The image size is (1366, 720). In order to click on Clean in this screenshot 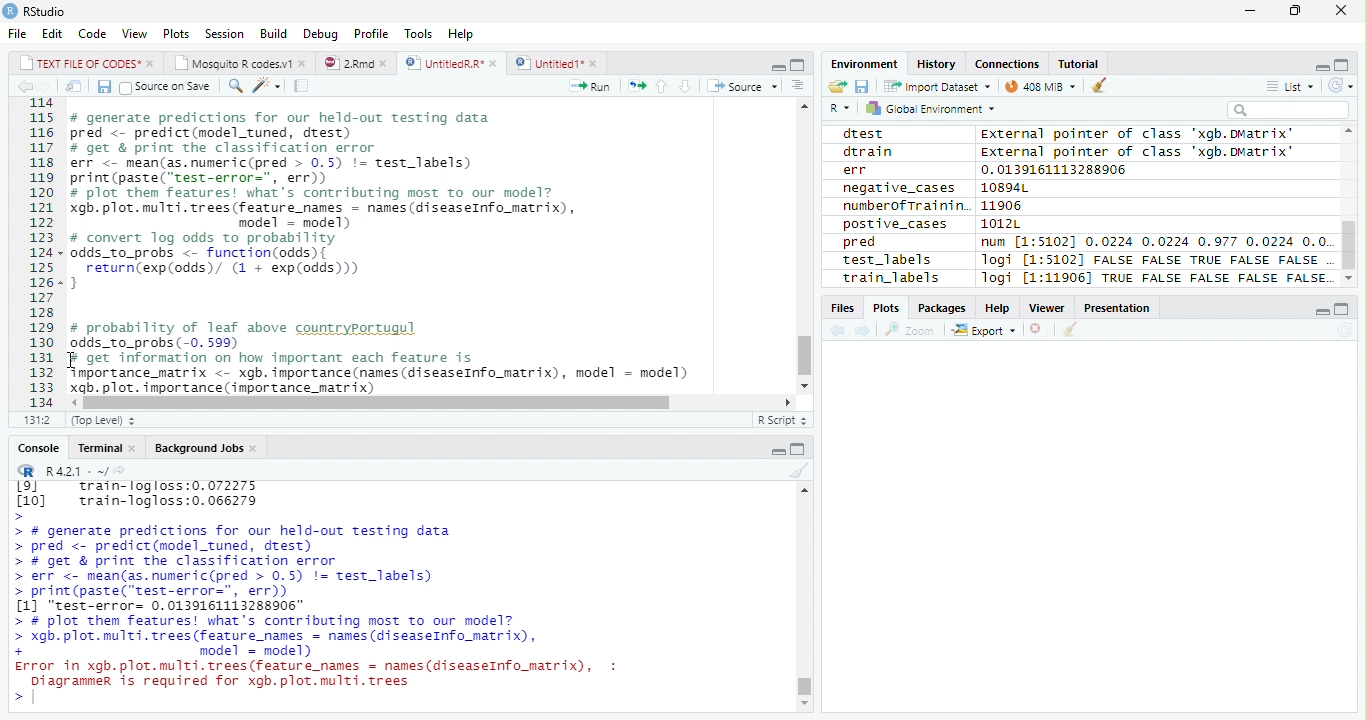, I will do `click(1071, 330)`.